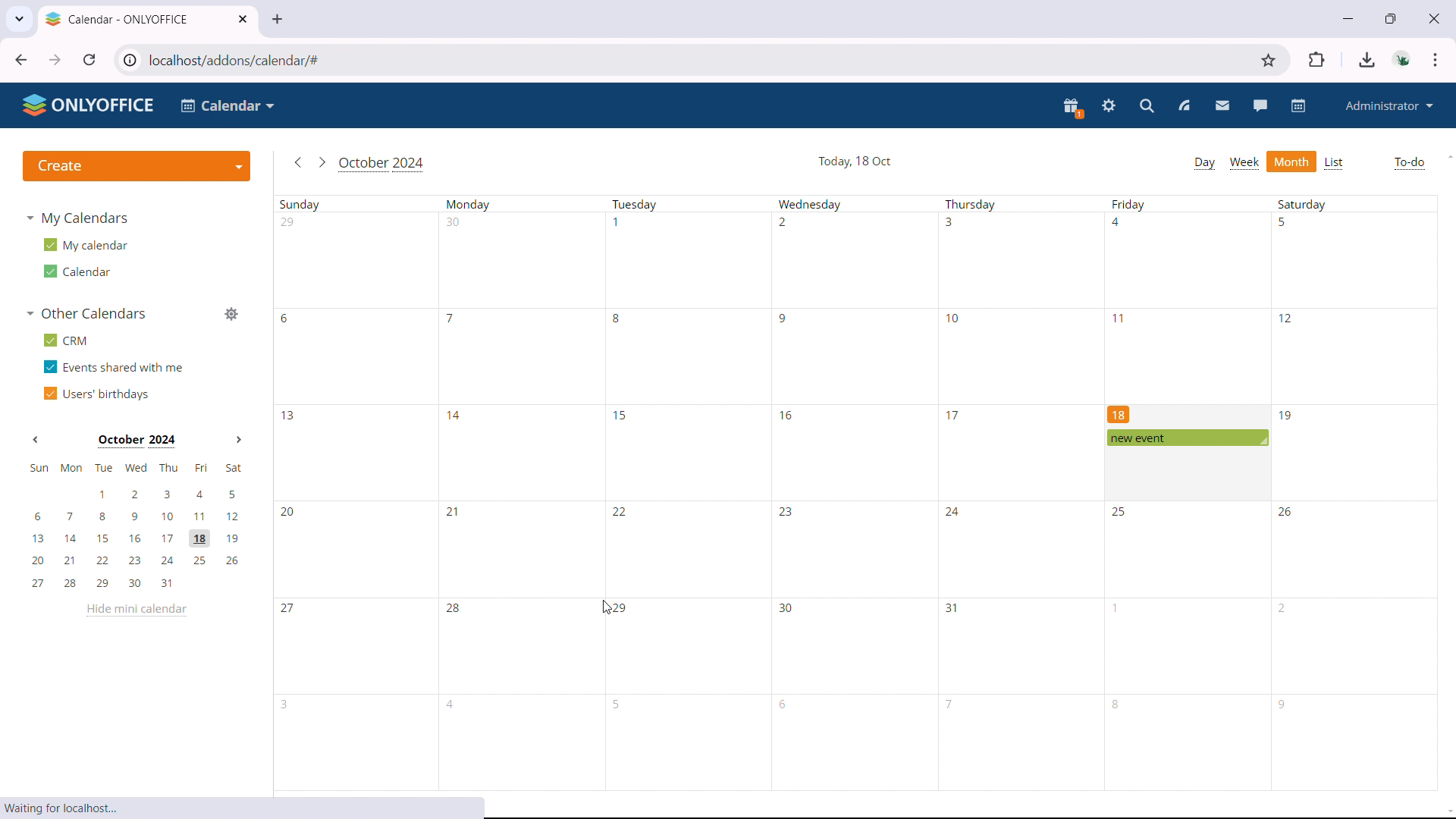 Image resolution: width=1456 pixels, height=819 pixels. Describe the element at coordinates (242, 19) in the screenshot. I see `close tab` at that location.